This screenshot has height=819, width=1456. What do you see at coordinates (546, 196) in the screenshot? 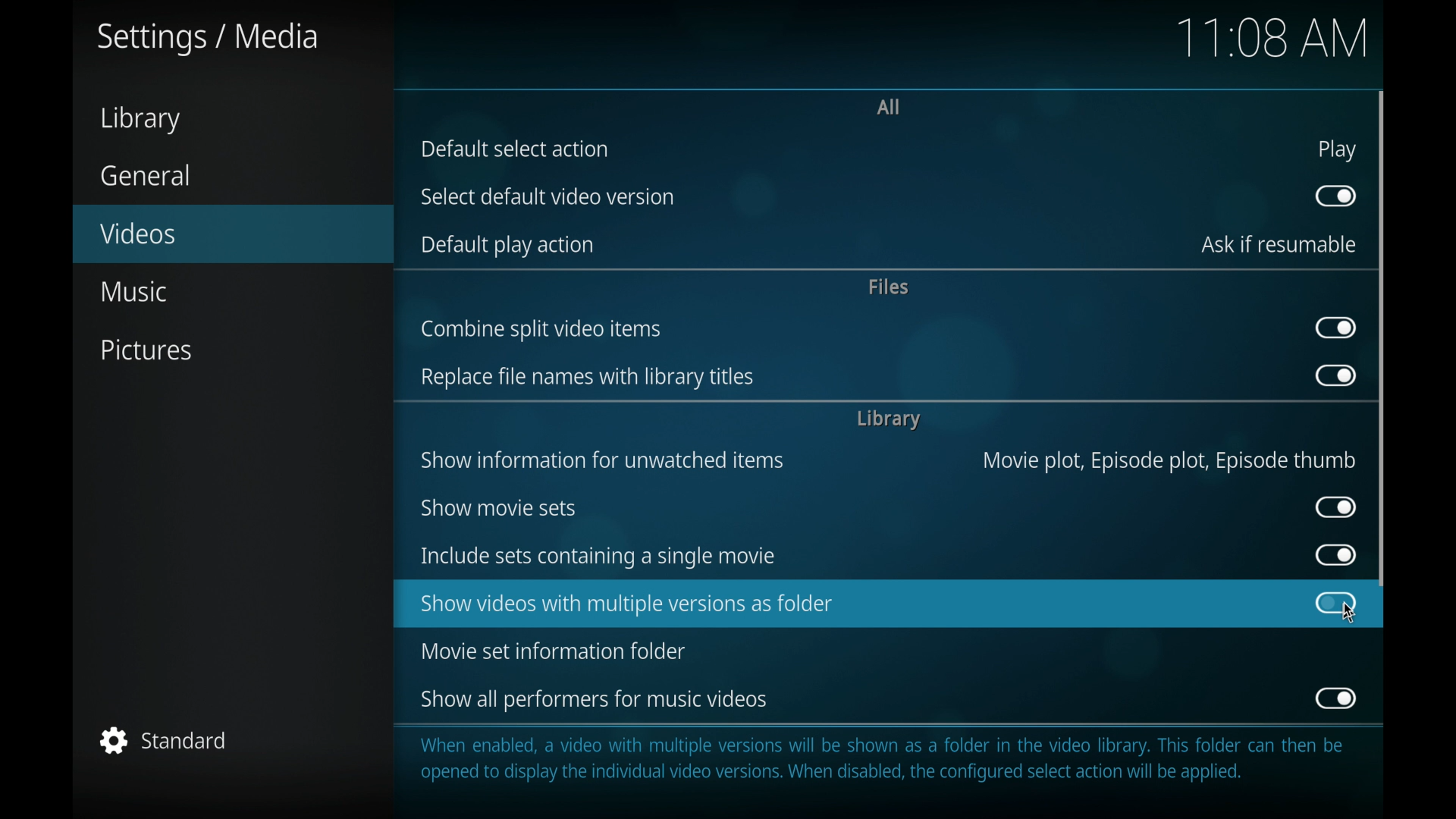
I see `select default video version` at bounding box center [546, 196].